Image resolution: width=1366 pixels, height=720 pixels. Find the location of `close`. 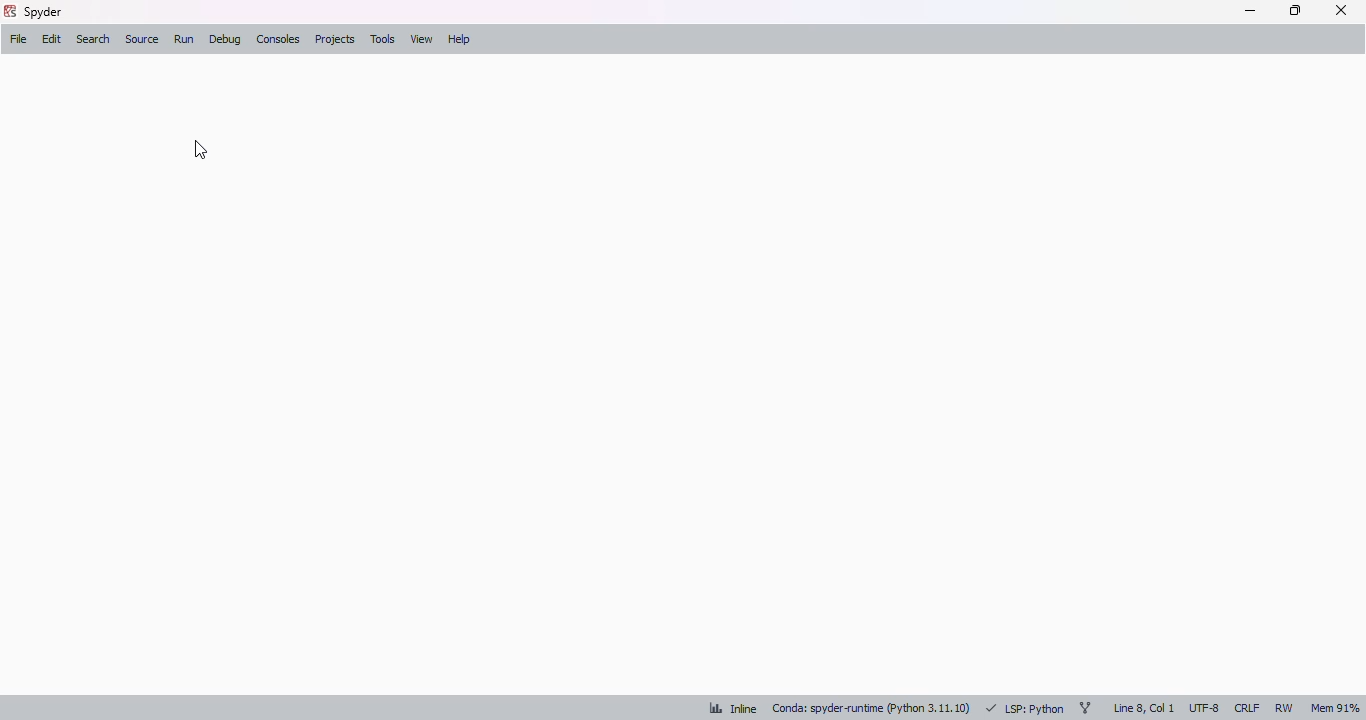

close is located at coordinates (1341, 10).